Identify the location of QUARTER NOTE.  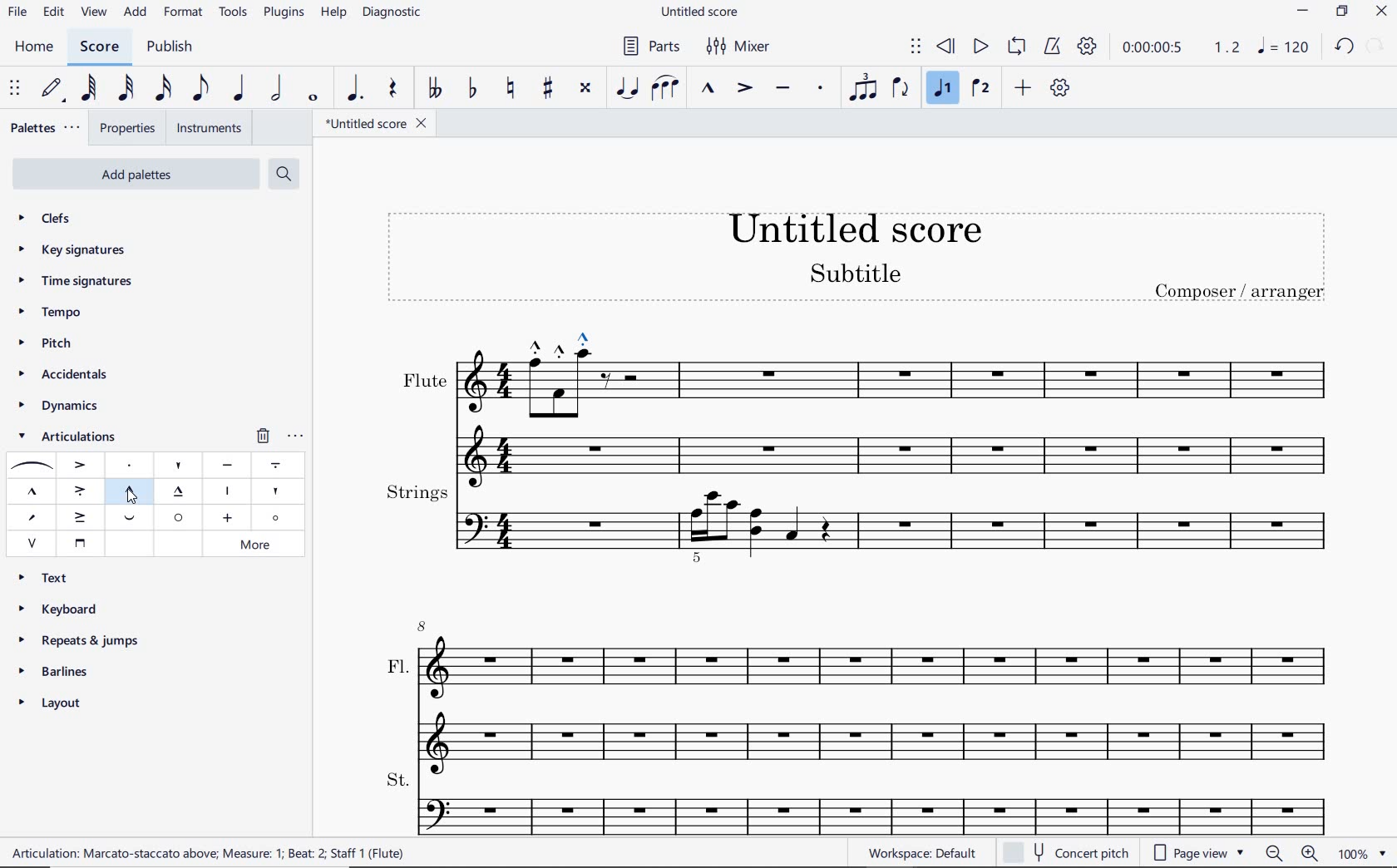
(239, 91).